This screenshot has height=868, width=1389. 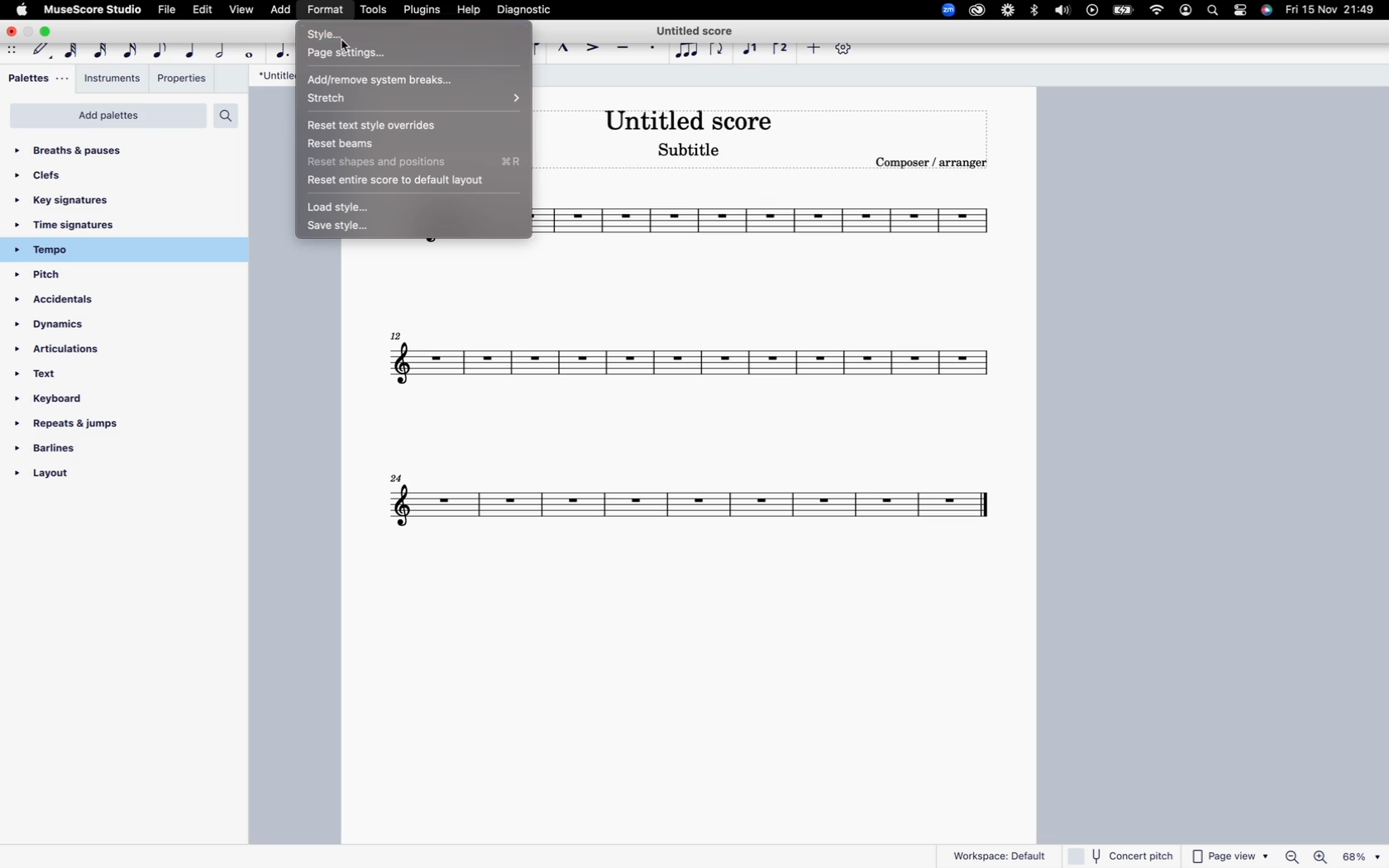 I want to click on voice 2, so click(x=782, y=48).